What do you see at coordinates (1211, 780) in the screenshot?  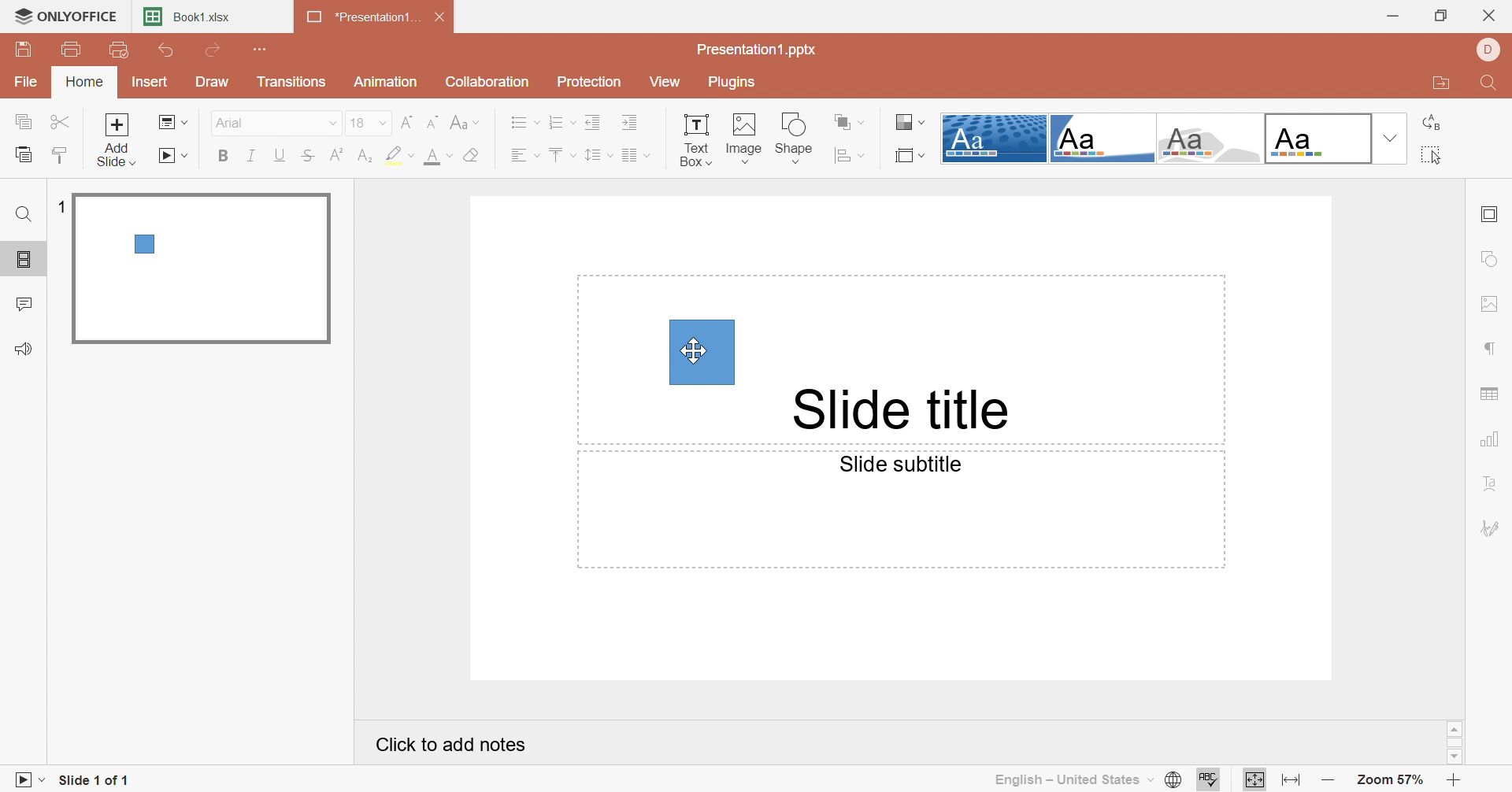 I see `Check spelling` at bounding box center [1211, 780].